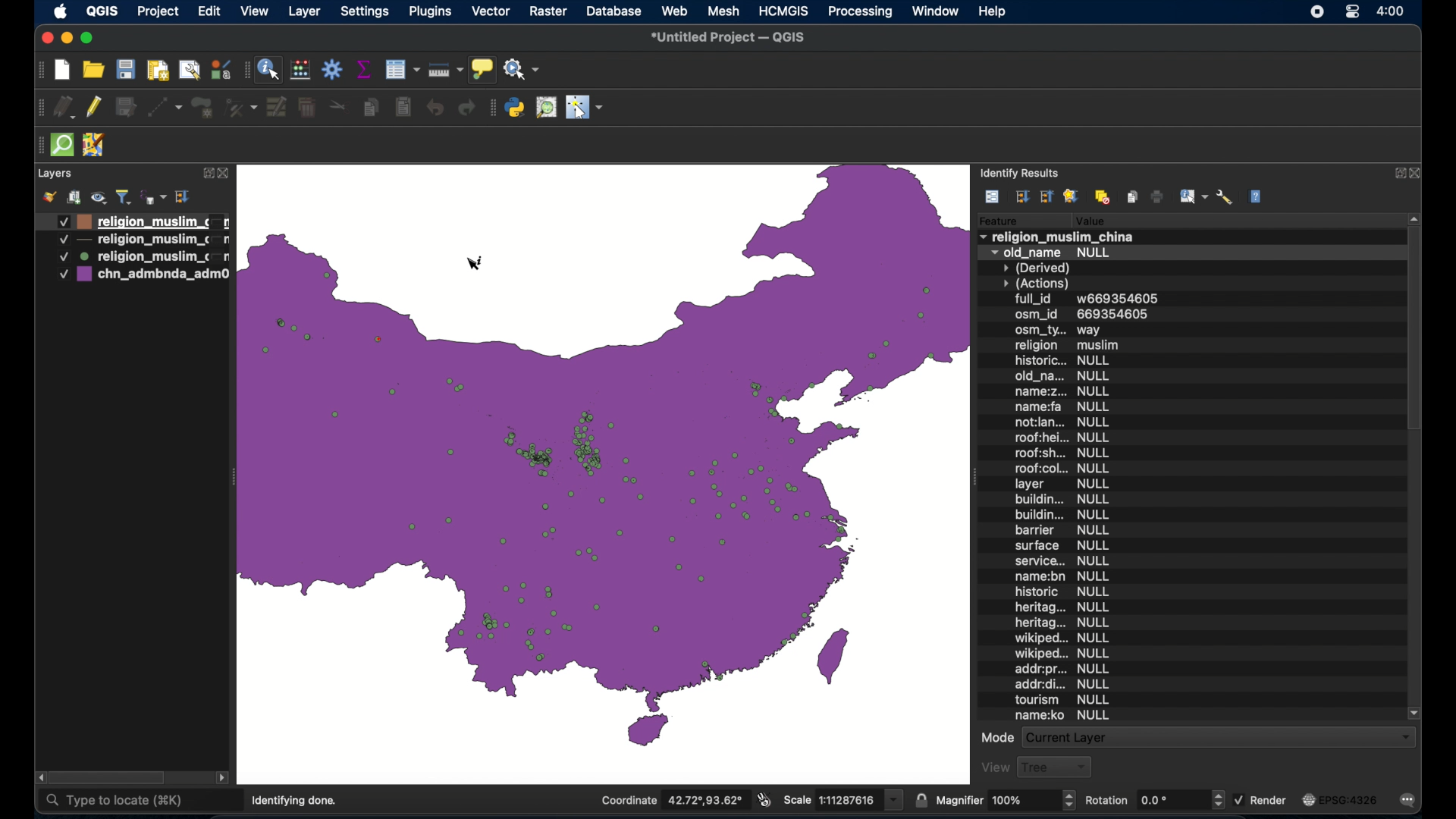 The width and height of the screenshot is (1456, 819). Describe the element at coordinates (1052, 253) in the screenshot. I see `old_name` at that location.